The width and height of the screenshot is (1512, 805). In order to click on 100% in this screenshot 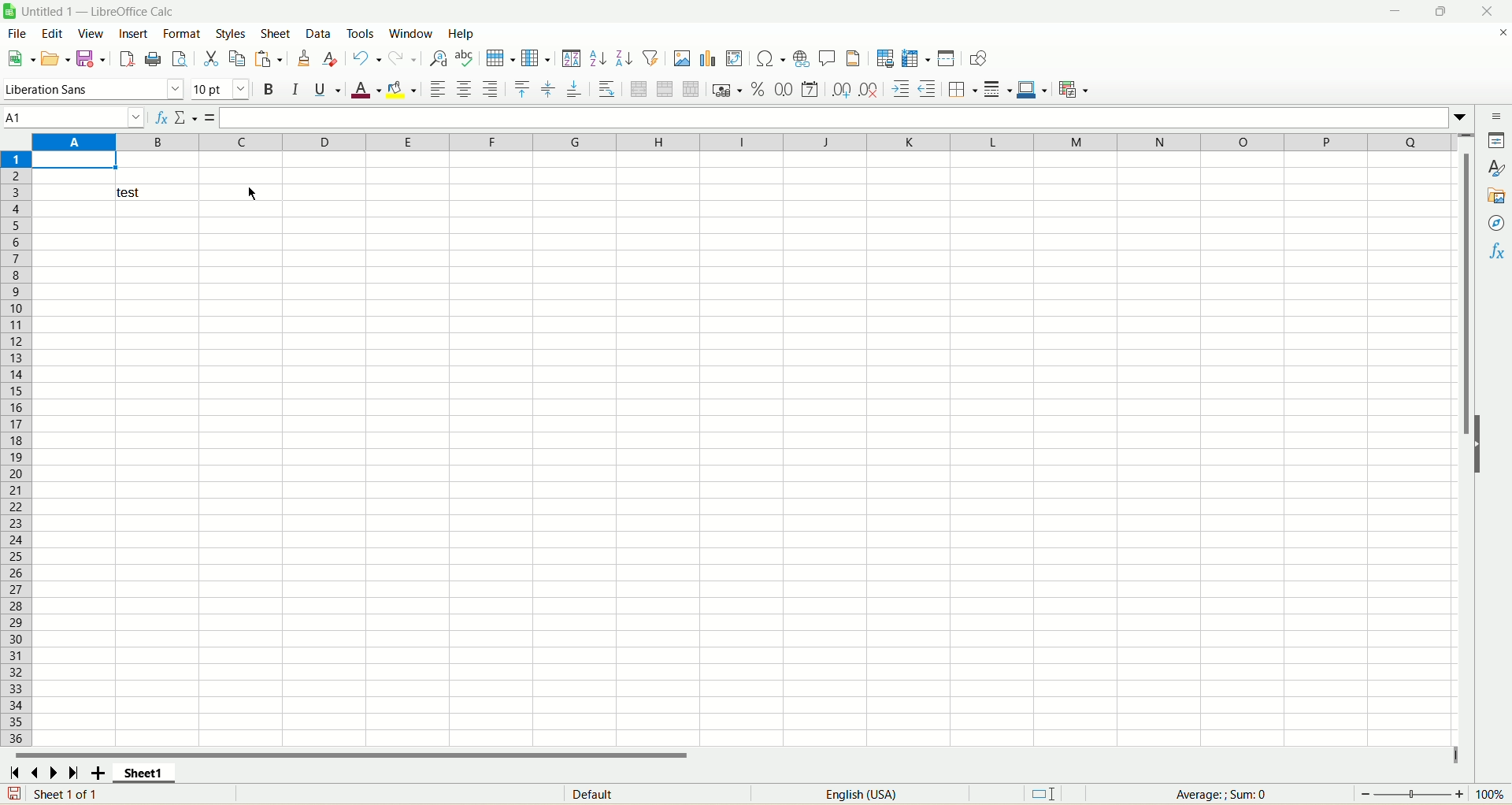, I will do `click(1489, 794)`.